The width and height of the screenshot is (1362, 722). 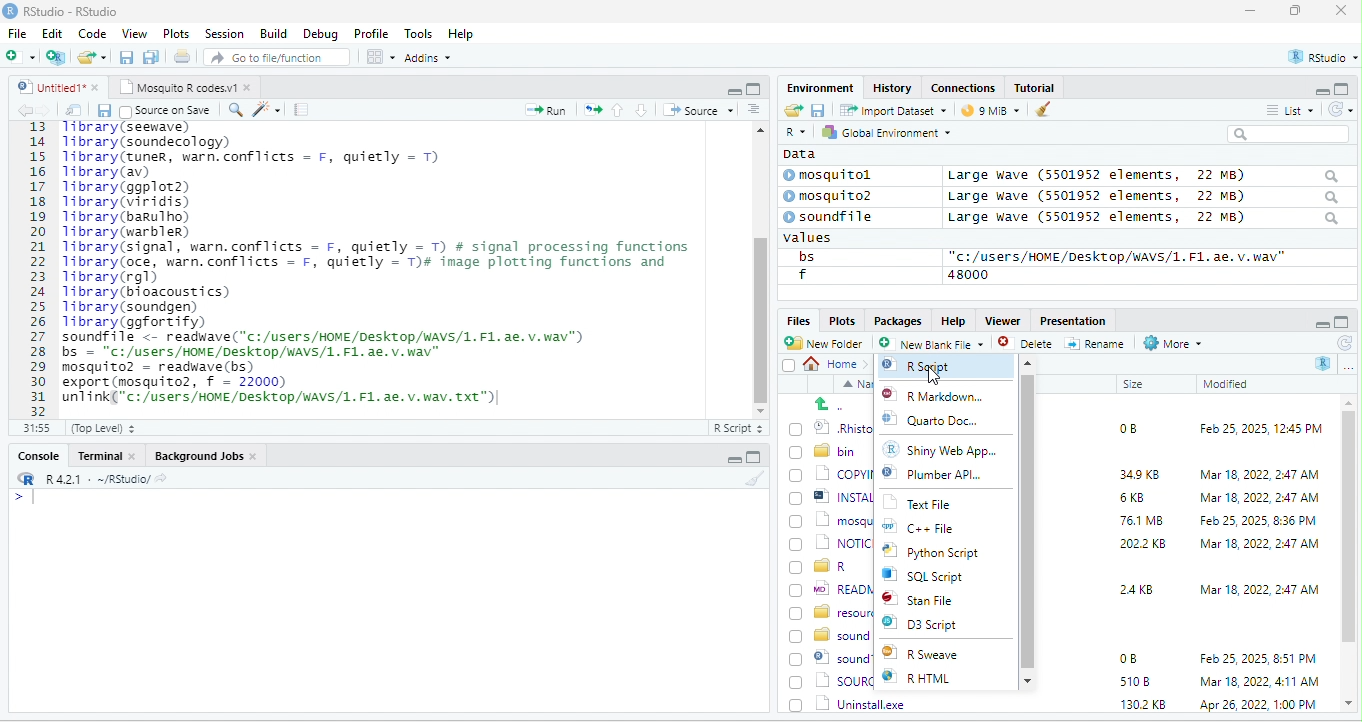 What do you see at coordinates (753, 457) in the screenshot?
I see `maximize` at bounding box center [753, 457].